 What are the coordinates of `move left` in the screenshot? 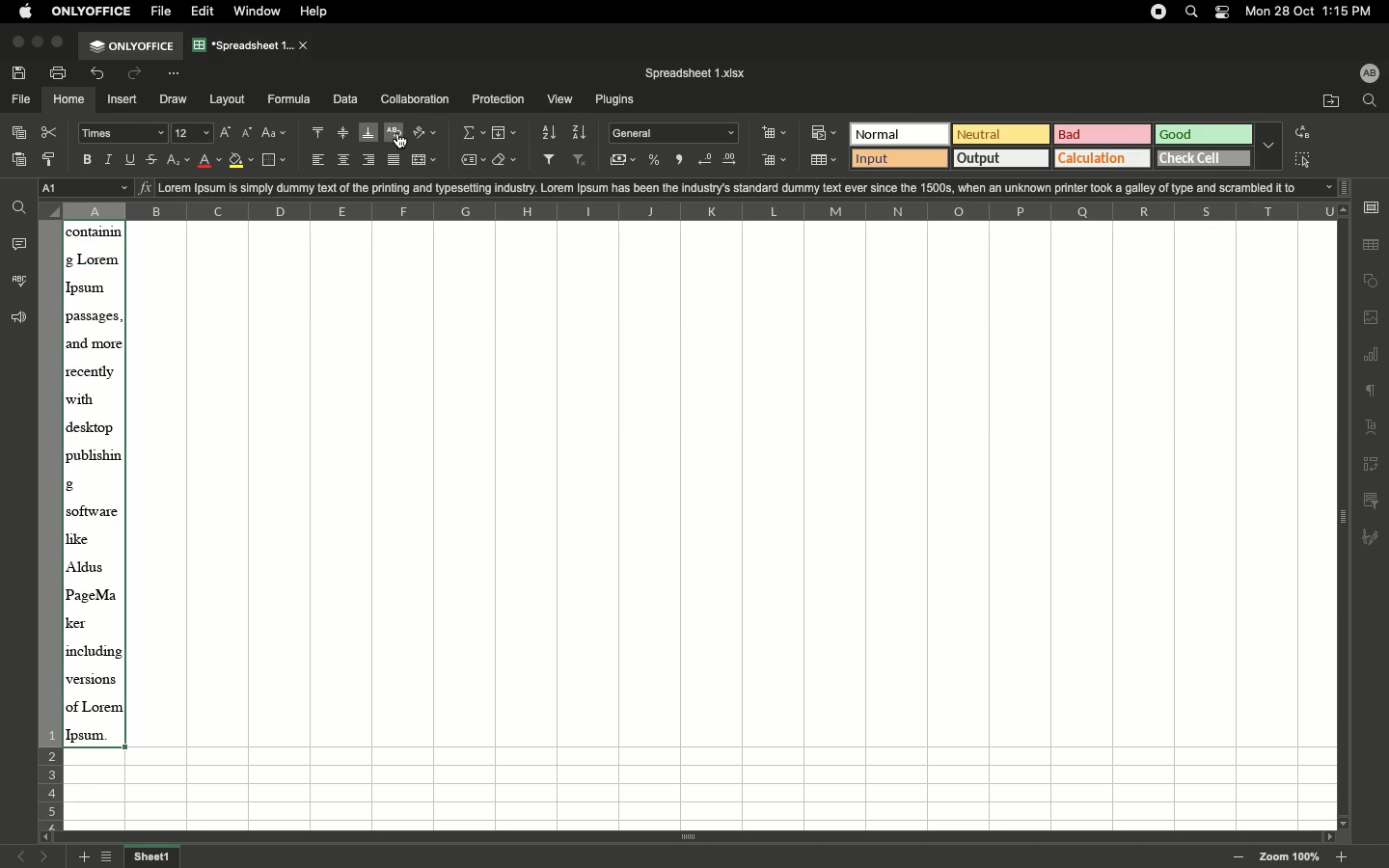 It's located at (43, 836).